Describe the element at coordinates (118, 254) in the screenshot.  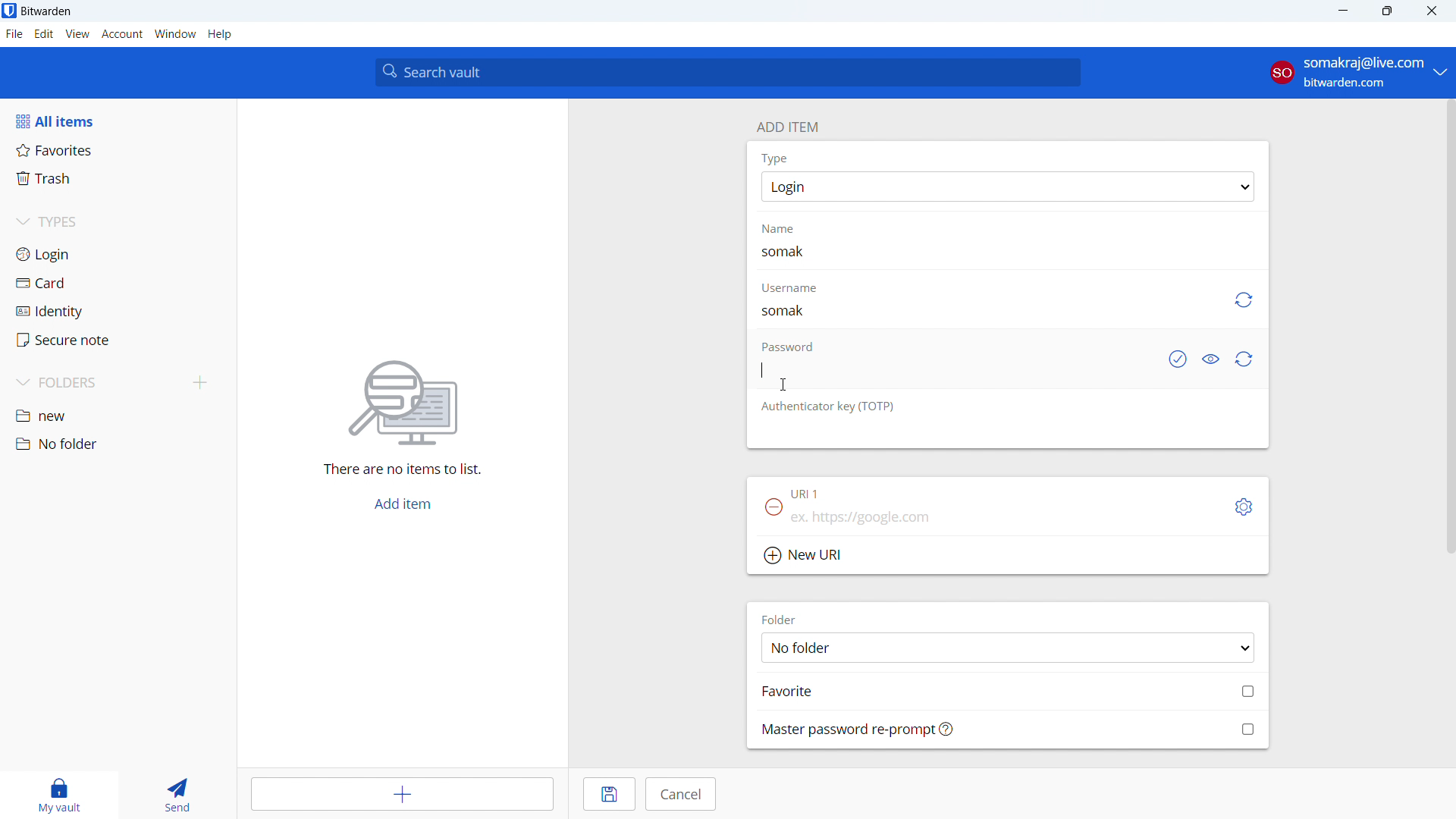
I see `login` at that location.